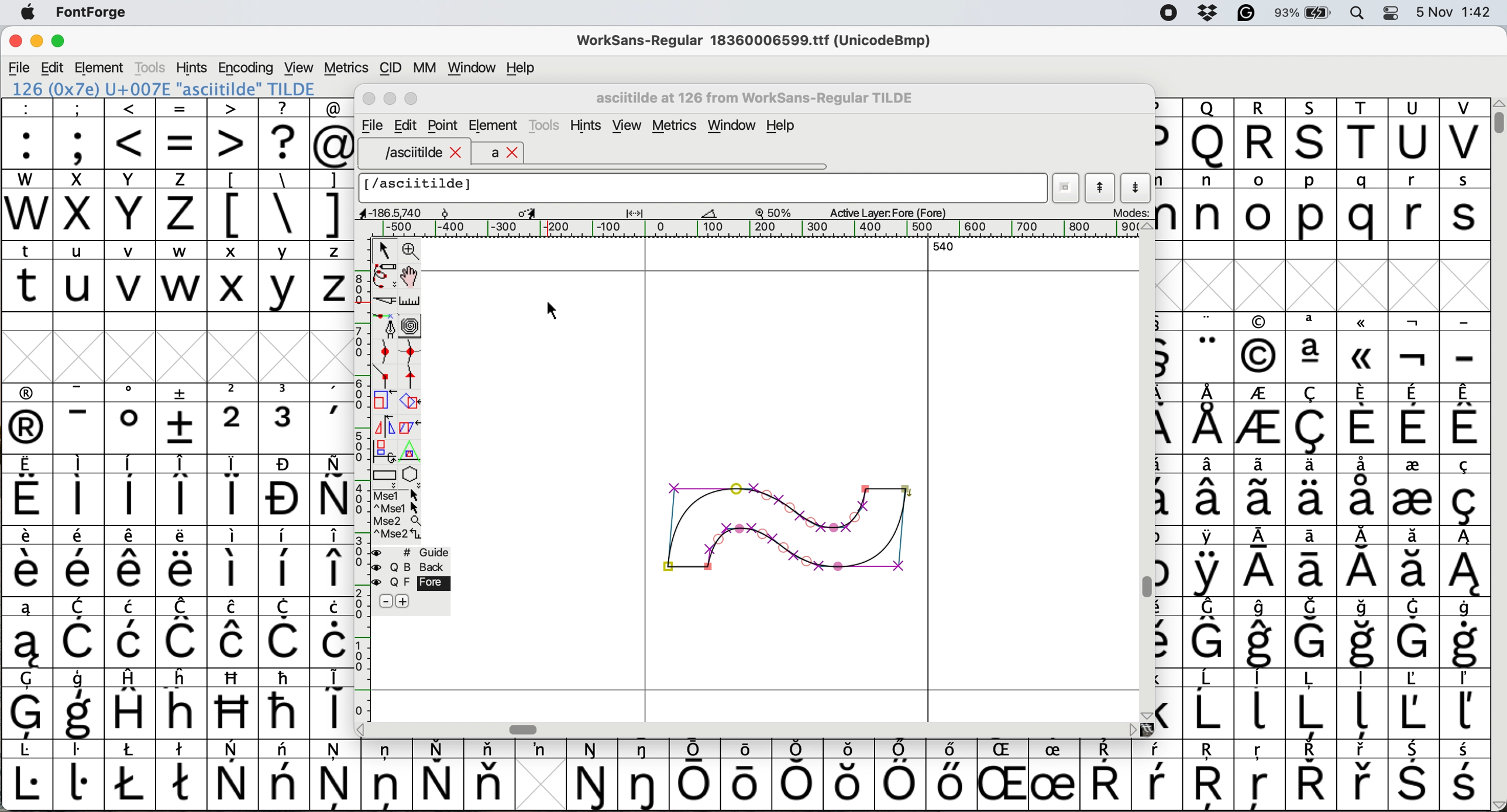 This screenshot has width=1507, height=812. What do you see at coordinates (1412, 205) in the screenshot?
I see `r` at bounding box center [1412, 205].